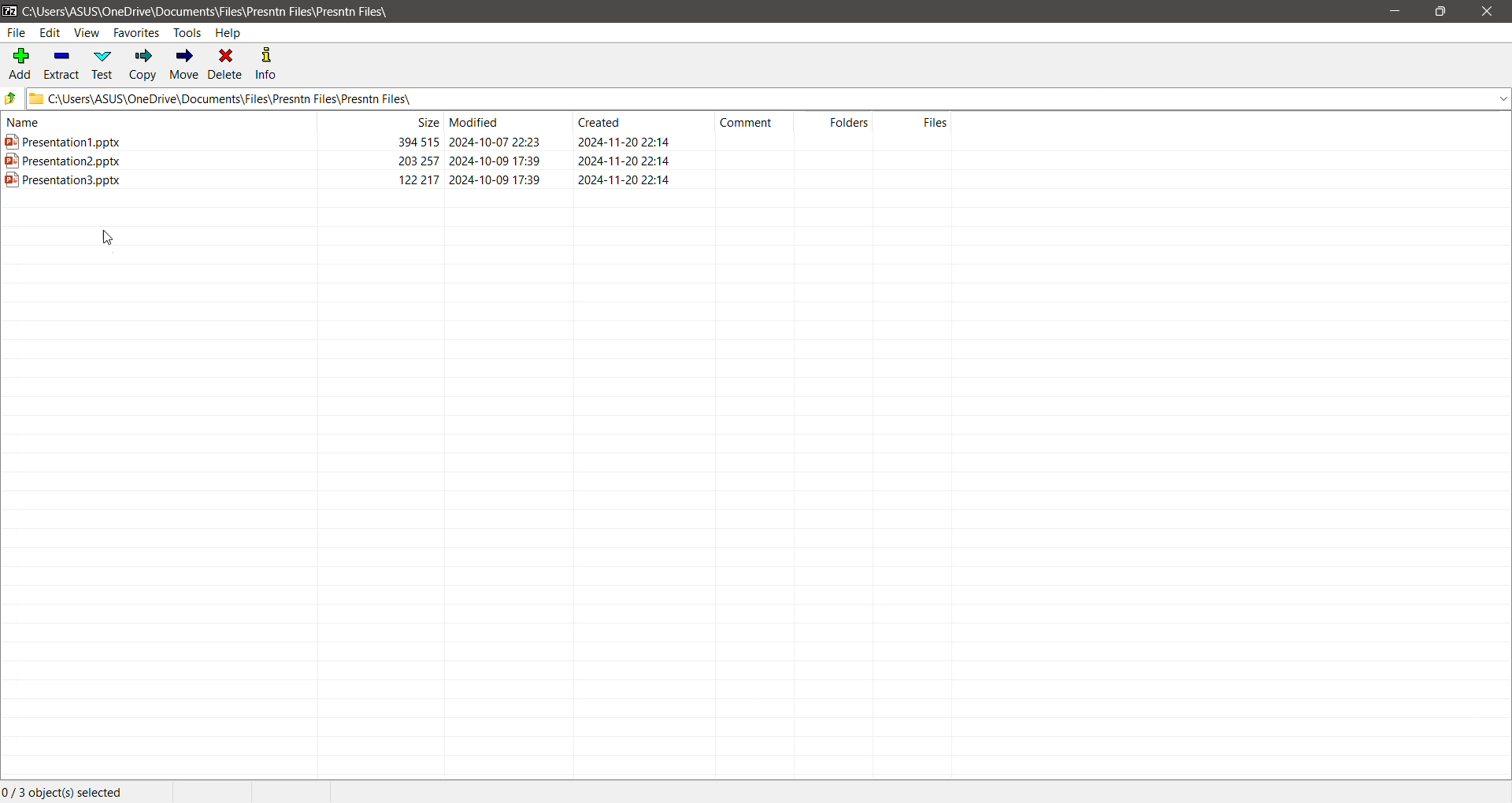  Describe the element at coordinates (230, 32) in the screenshot. I see `Help` at that location.